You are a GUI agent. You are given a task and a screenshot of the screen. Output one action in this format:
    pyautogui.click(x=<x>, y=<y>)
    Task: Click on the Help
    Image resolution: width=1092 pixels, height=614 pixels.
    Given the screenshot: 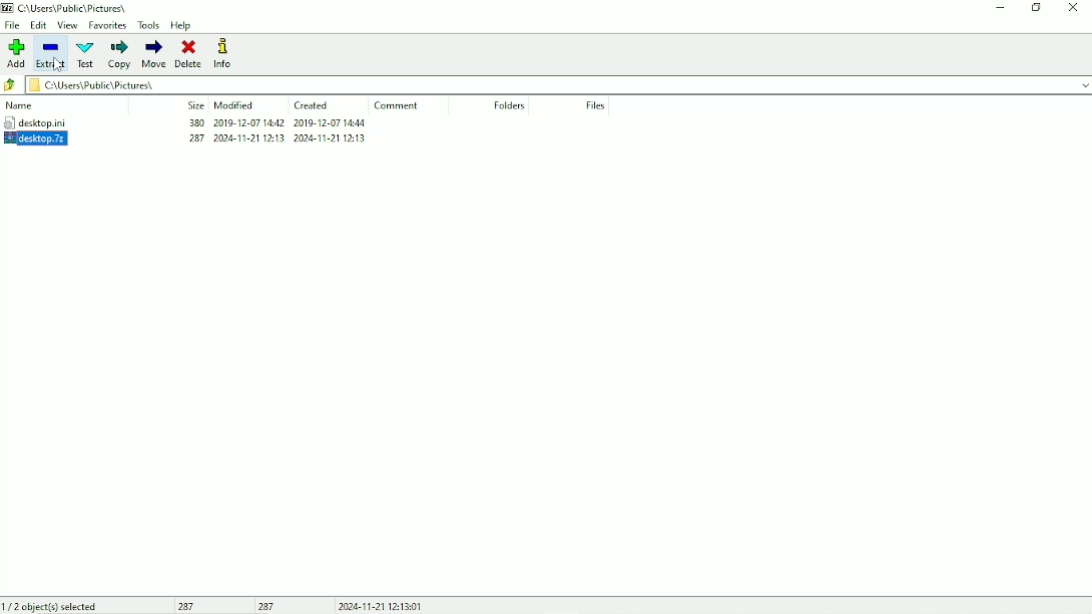 What is the action you would take?
    pyautogui.click(x=181, y=26)
    